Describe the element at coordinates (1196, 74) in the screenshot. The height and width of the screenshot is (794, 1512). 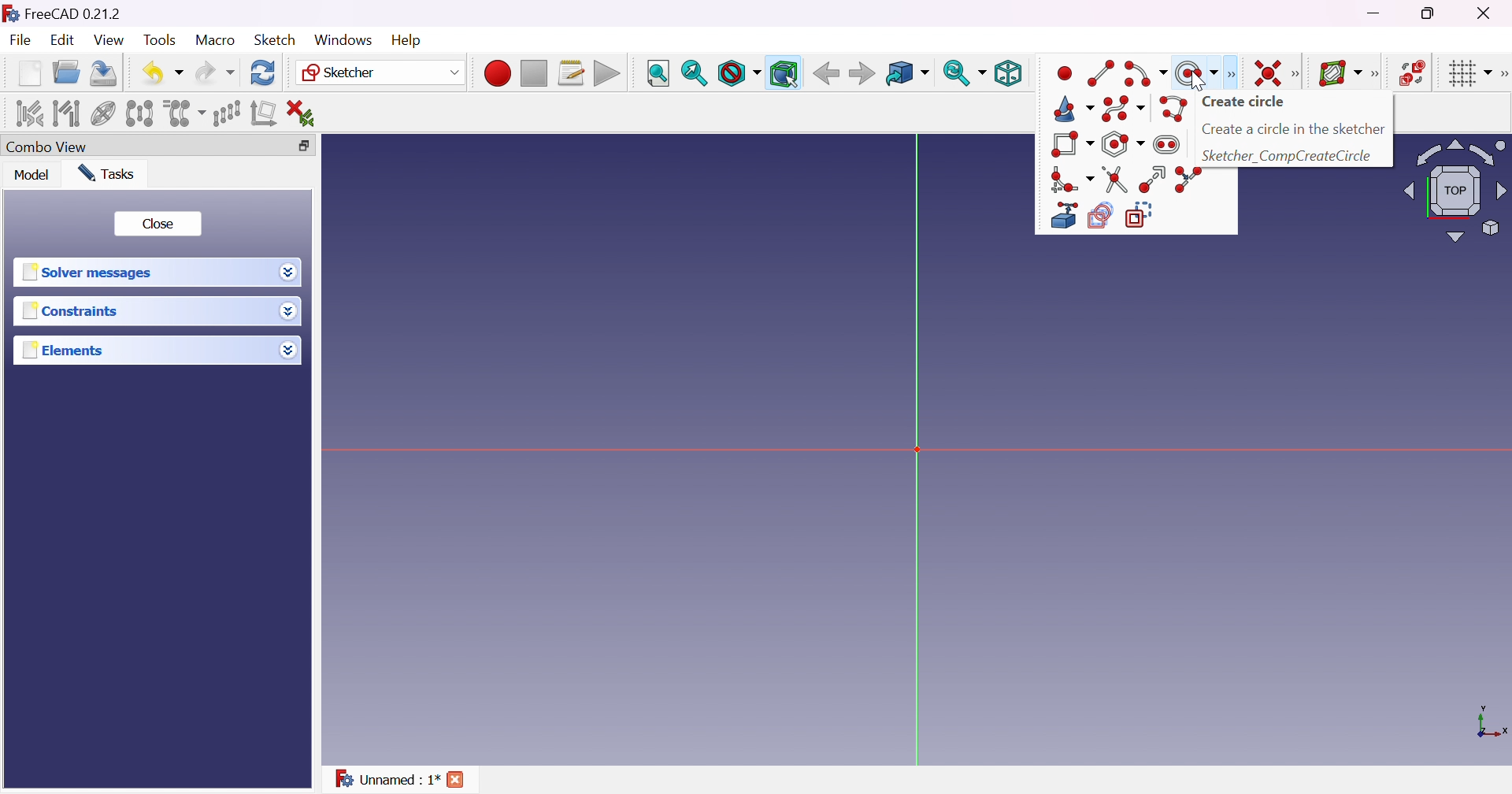
I see `Create circle` at that location.